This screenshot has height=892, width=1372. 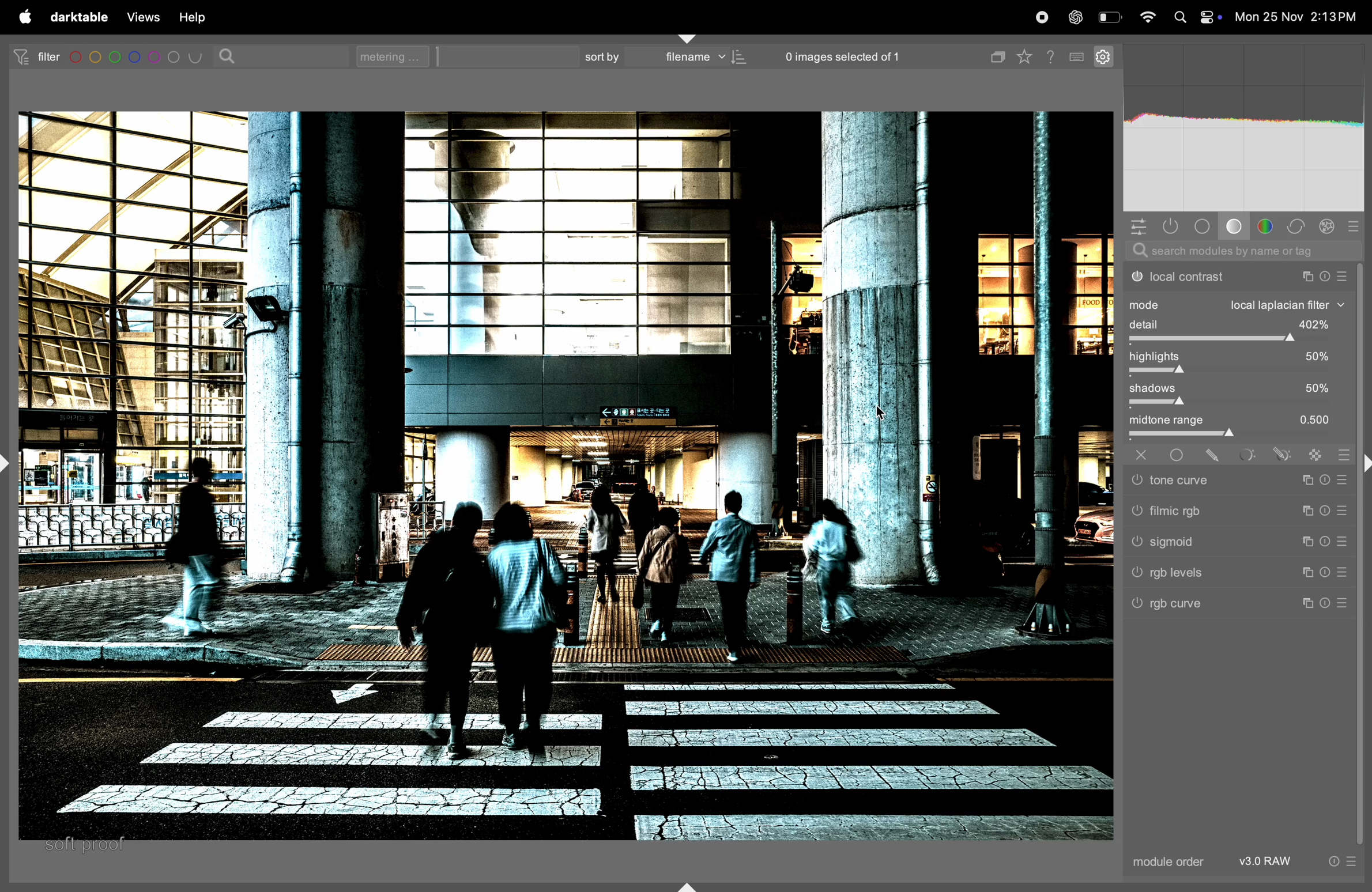 I want to click on sort, so click(x=599, y=56).